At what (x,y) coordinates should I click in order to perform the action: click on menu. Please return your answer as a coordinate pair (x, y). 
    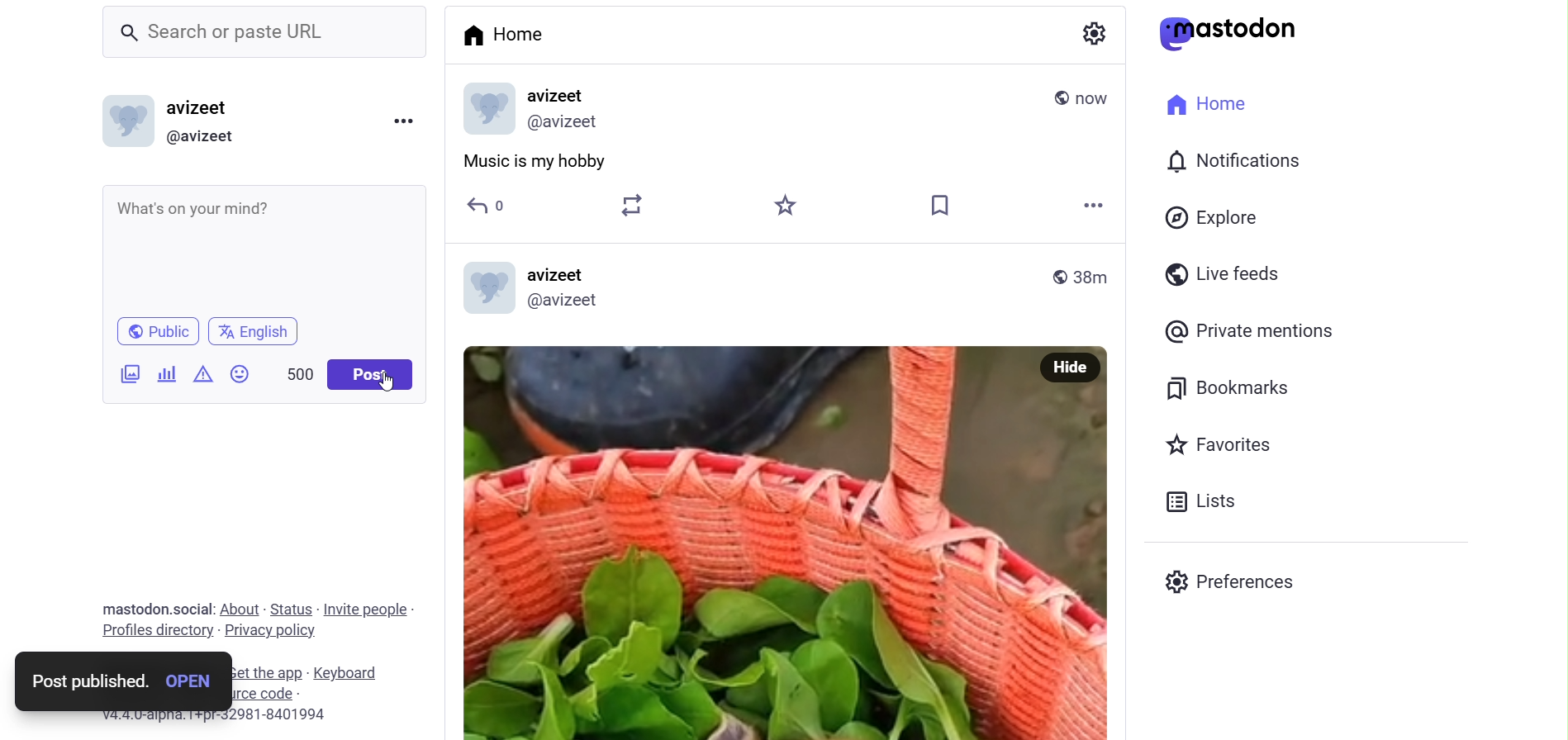
    Looking at the image, I should click on (402, 122).